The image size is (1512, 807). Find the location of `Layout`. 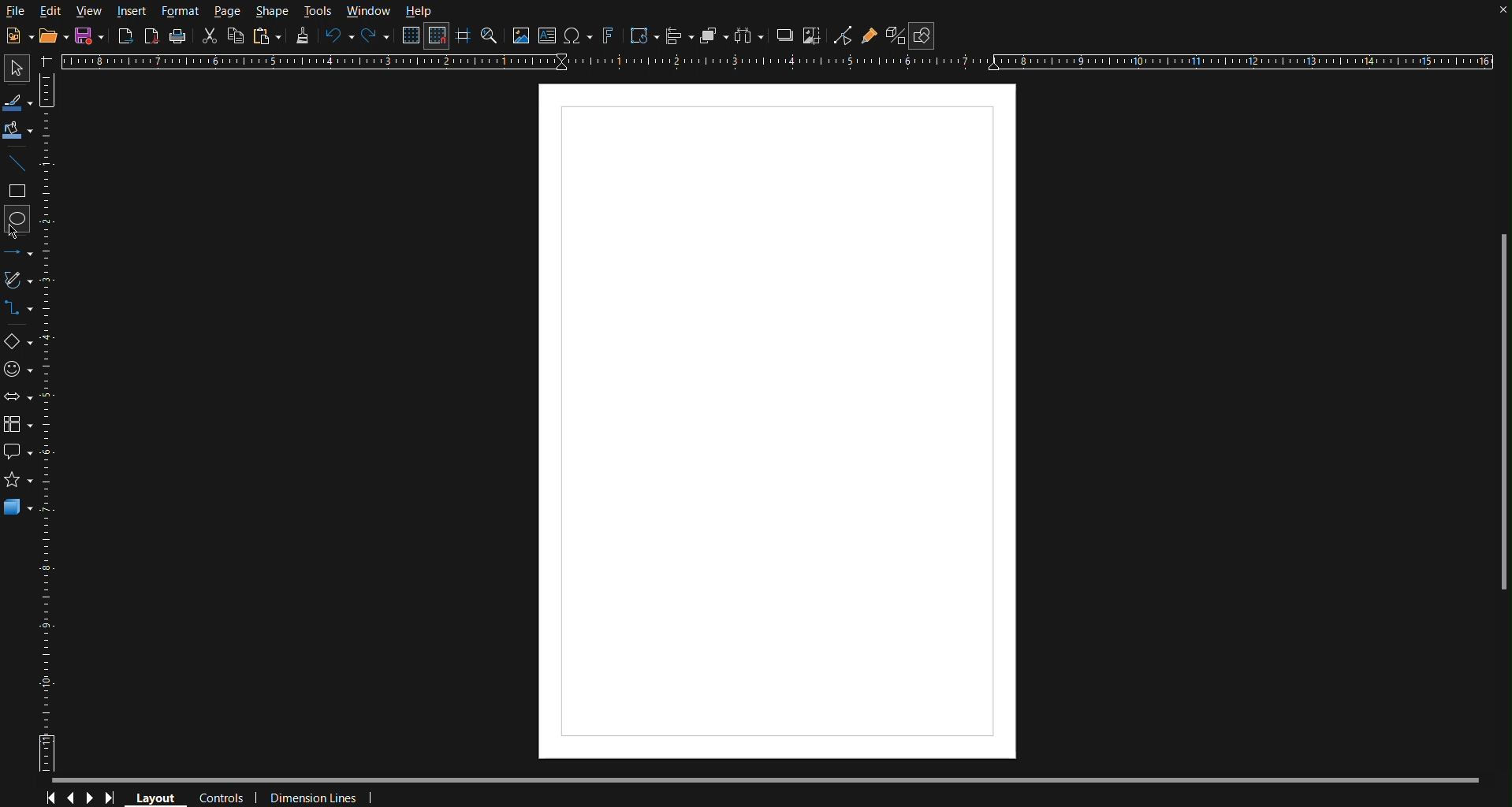

Layout is located at coordinates (161, 796).